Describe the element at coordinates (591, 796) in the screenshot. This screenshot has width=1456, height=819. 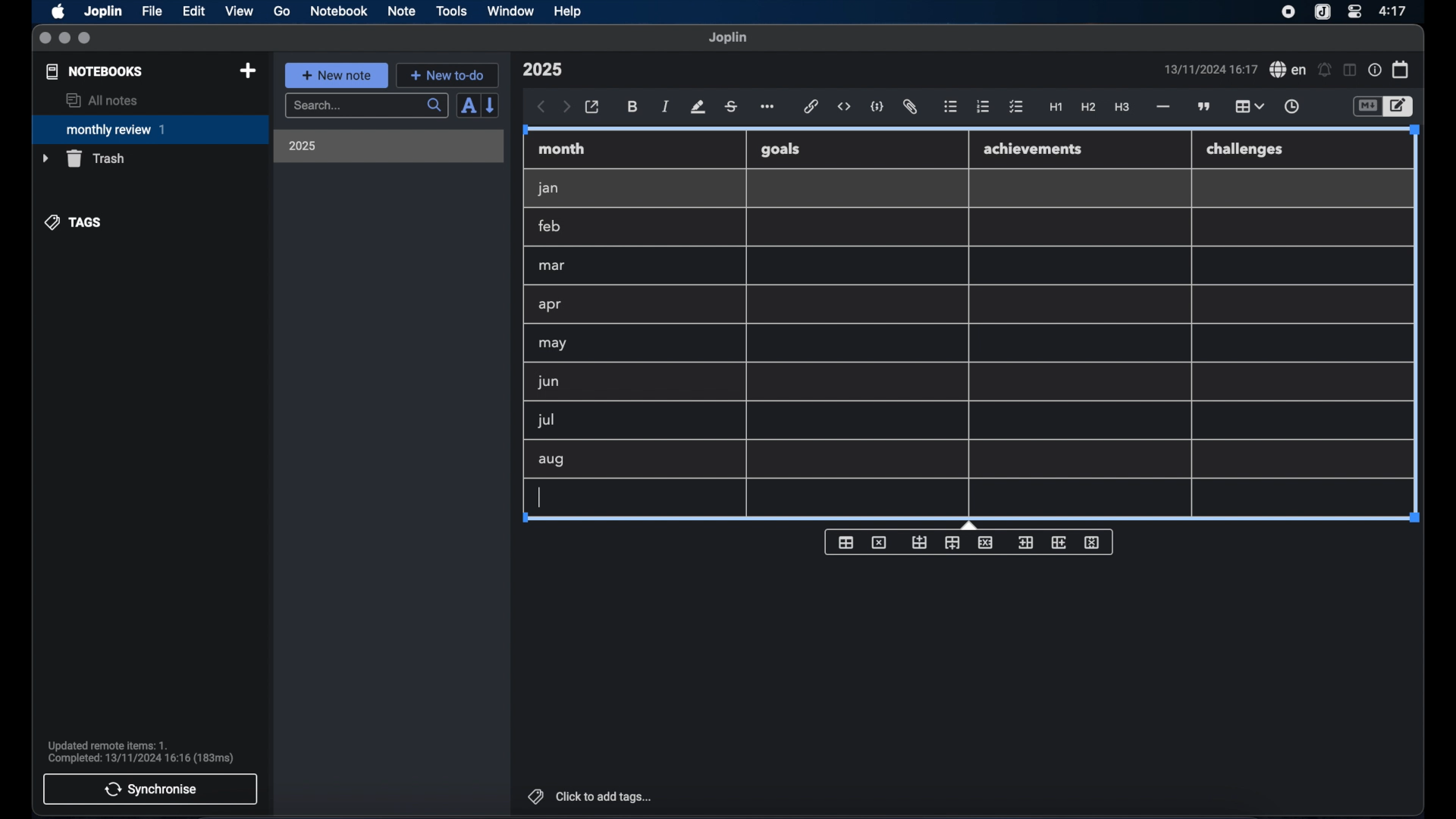
I see `click to add tags` at that location.